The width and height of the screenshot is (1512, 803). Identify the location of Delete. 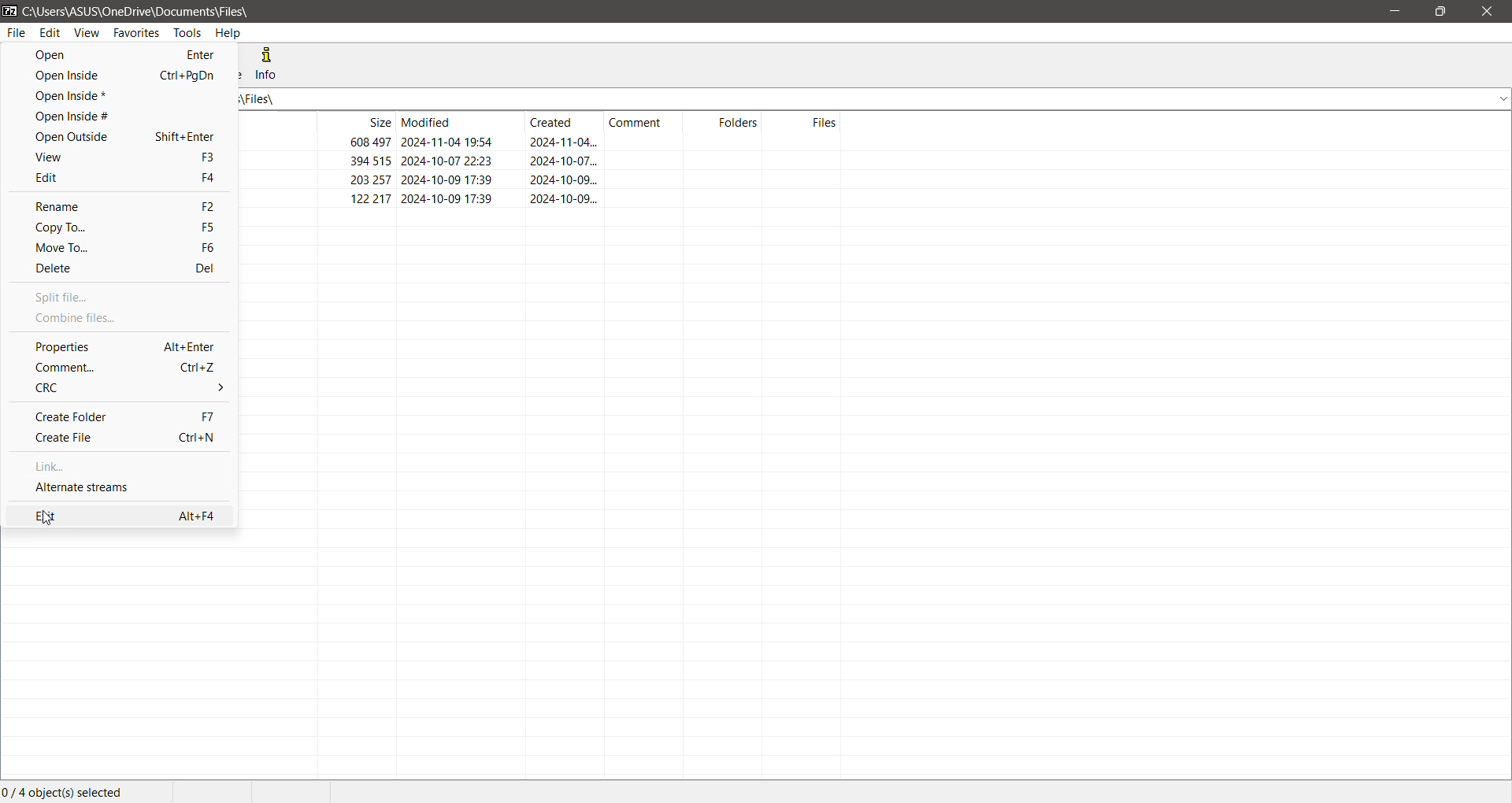
(123, 268).